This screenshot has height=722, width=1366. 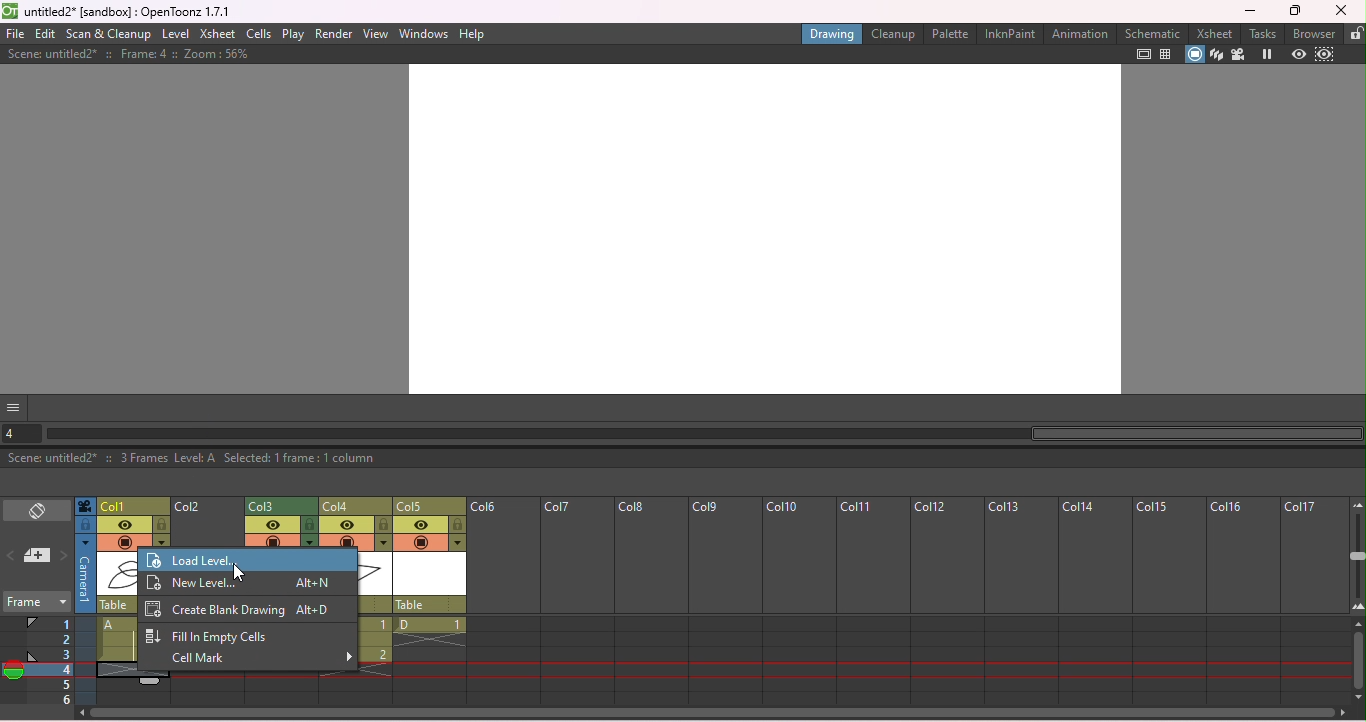 What do you see at coordinates (385, 525) in the screenshot?
I see `Lock toggle` at bounding box center [385, 525].